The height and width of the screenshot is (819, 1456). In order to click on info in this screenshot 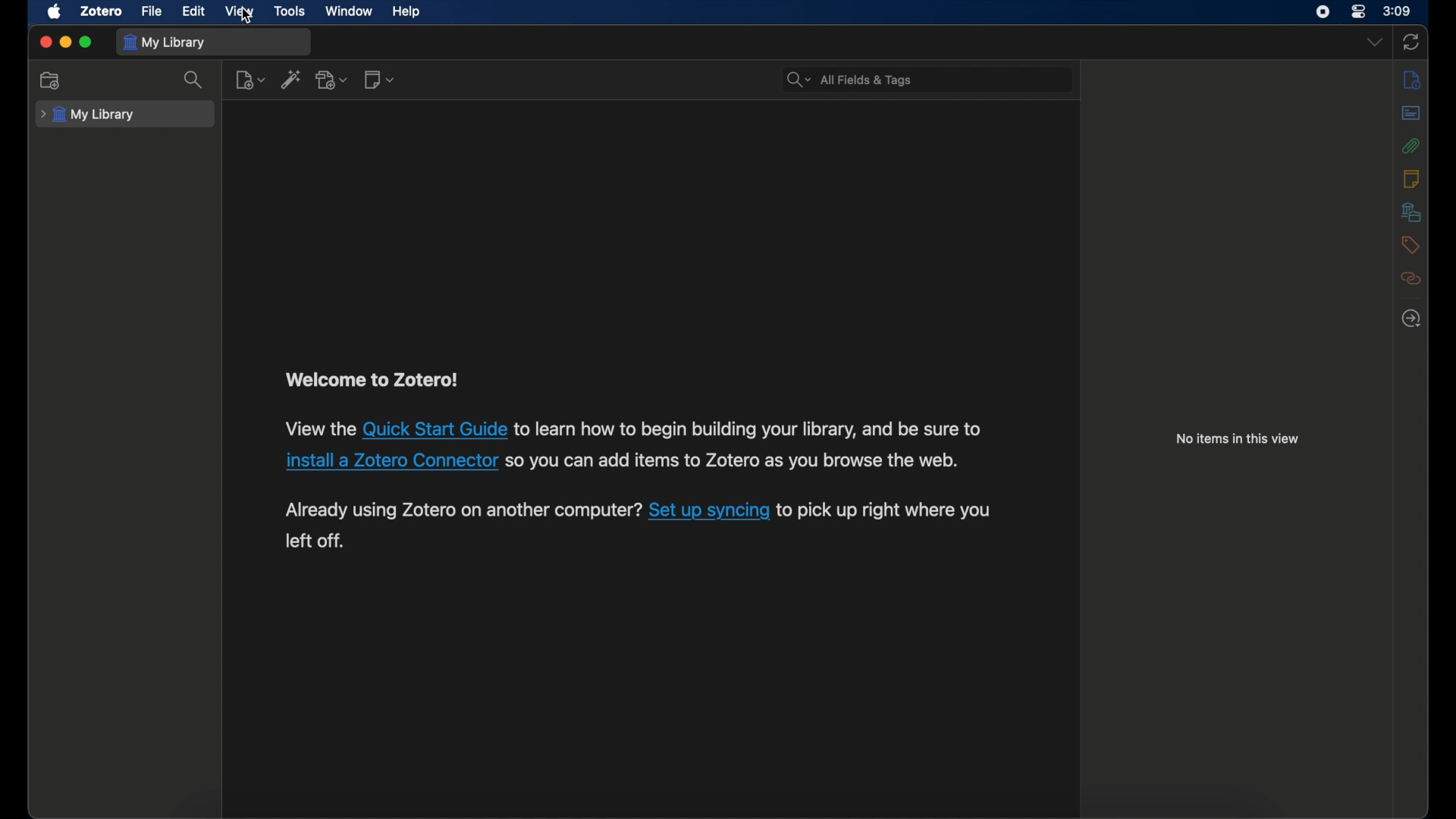, I will do `click(1411, 80)`.